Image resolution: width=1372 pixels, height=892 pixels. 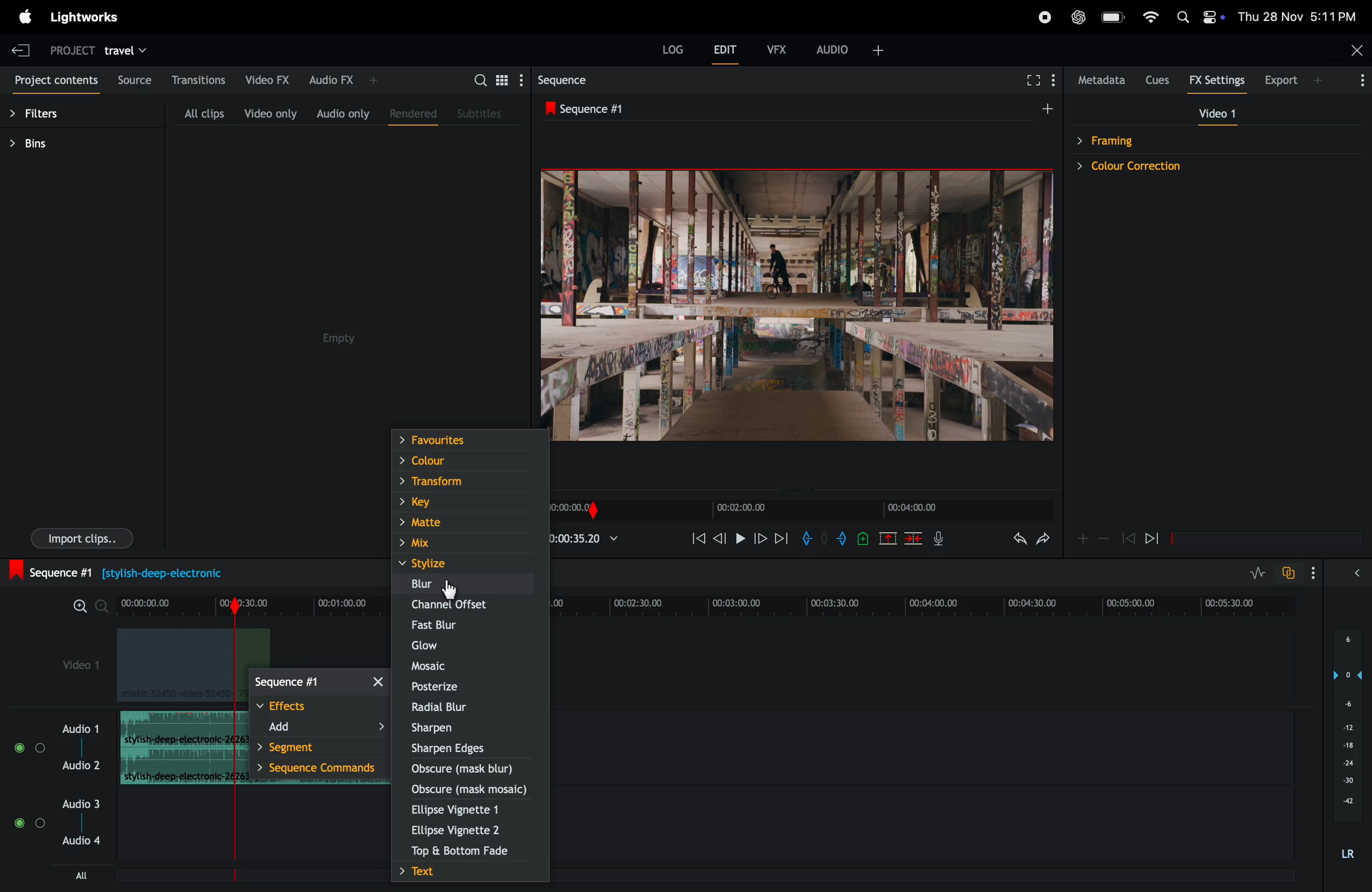 What do you see at coordinates (1289, 573) in the screenshot?
I see `toggle auto sync` at bounding box center [1289, 573].